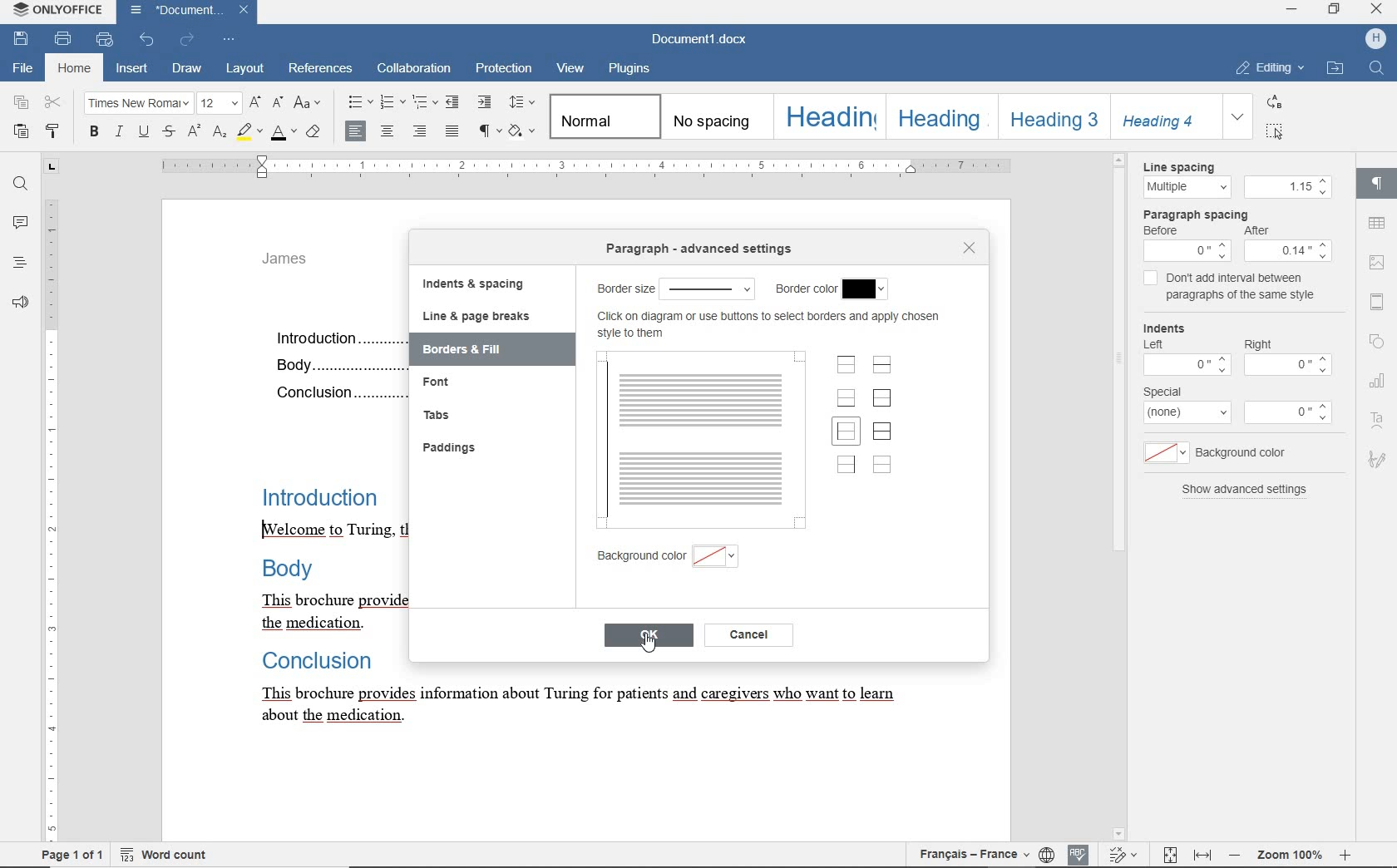  What do you see at coordinates (648, 637) in the screenshot?
I see `ok` at bounding box center [648, 637].